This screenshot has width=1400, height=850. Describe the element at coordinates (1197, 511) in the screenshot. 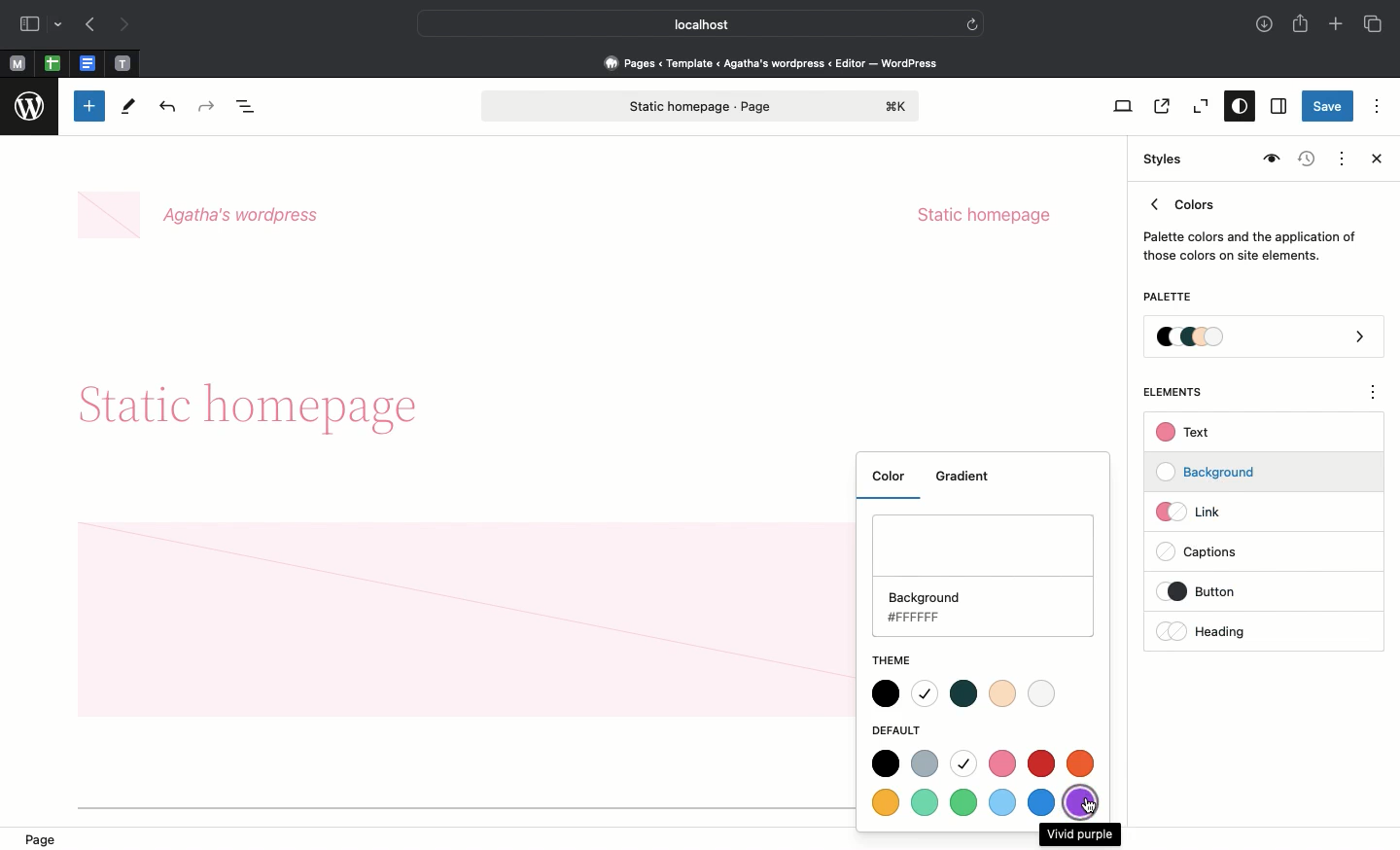

I see `Link` at that location.